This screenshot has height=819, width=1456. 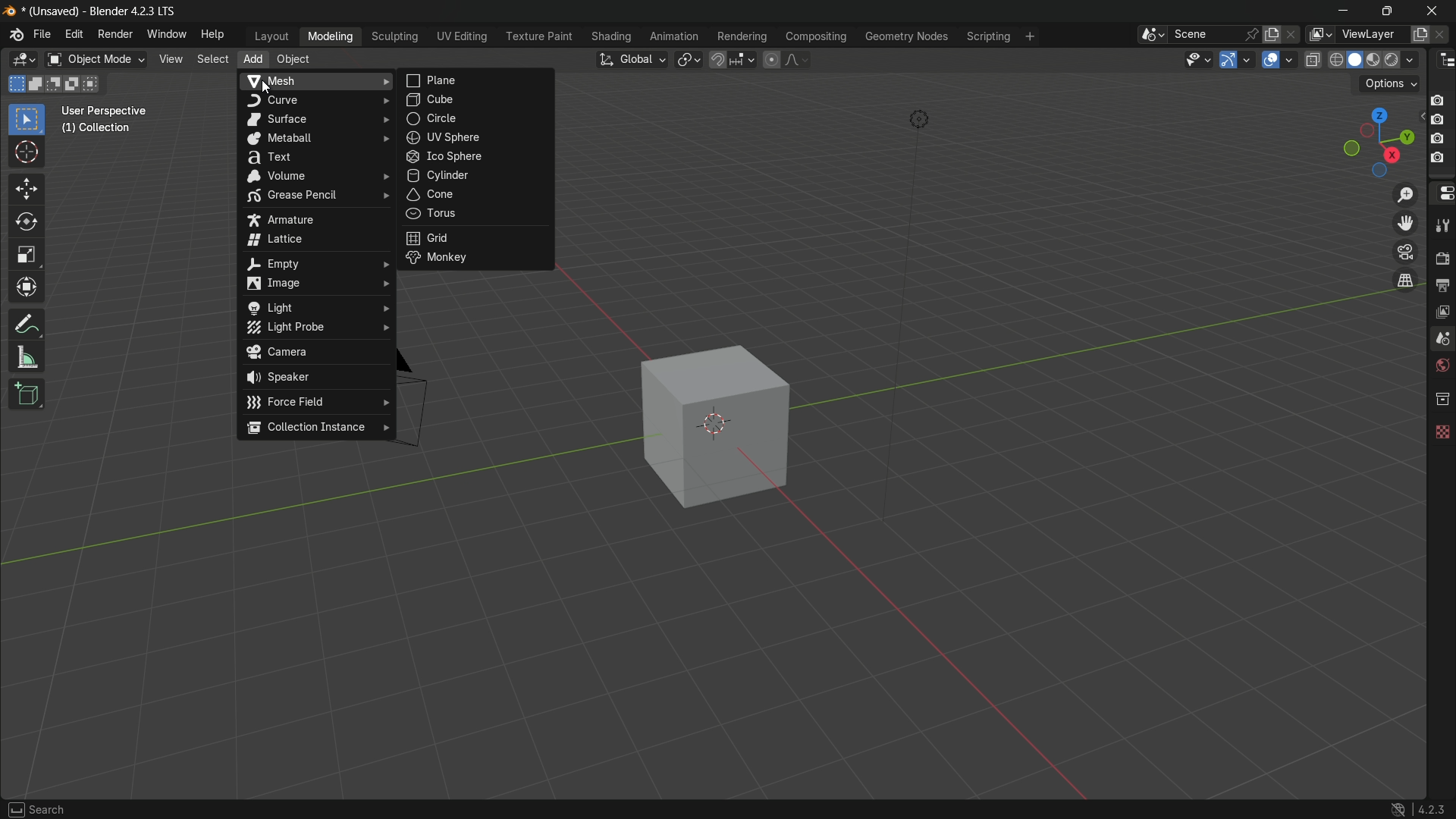 What do you see at coordinates (1403, 193) in the screenshot?
I see `zoom in/out` at bounding box center [1403, 193].